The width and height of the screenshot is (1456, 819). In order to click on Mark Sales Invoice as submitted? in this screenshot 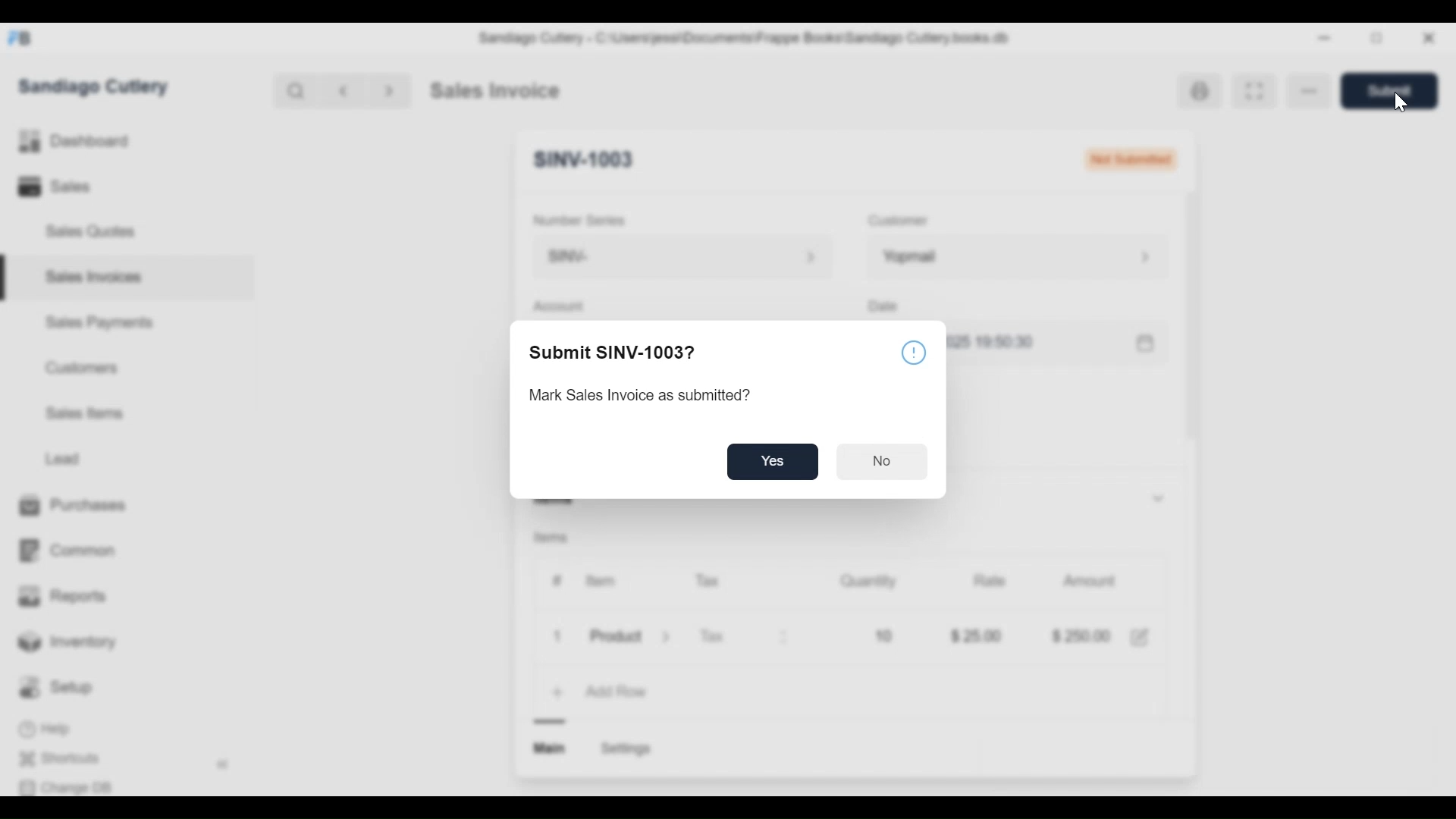, I will do `click(644, 396)`.